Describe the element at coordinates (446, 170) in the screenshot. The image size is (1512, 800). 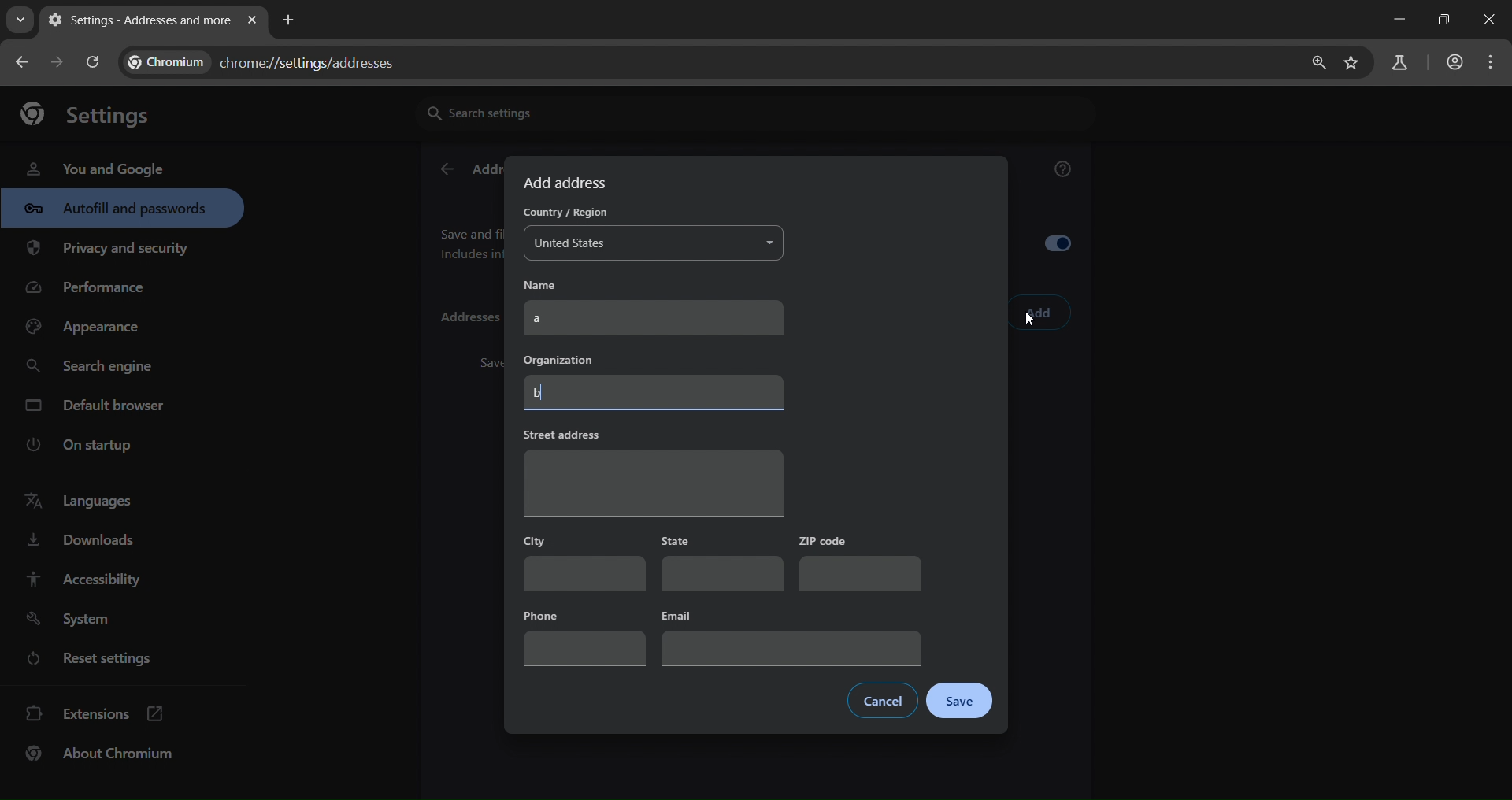
I see `back` at that location.